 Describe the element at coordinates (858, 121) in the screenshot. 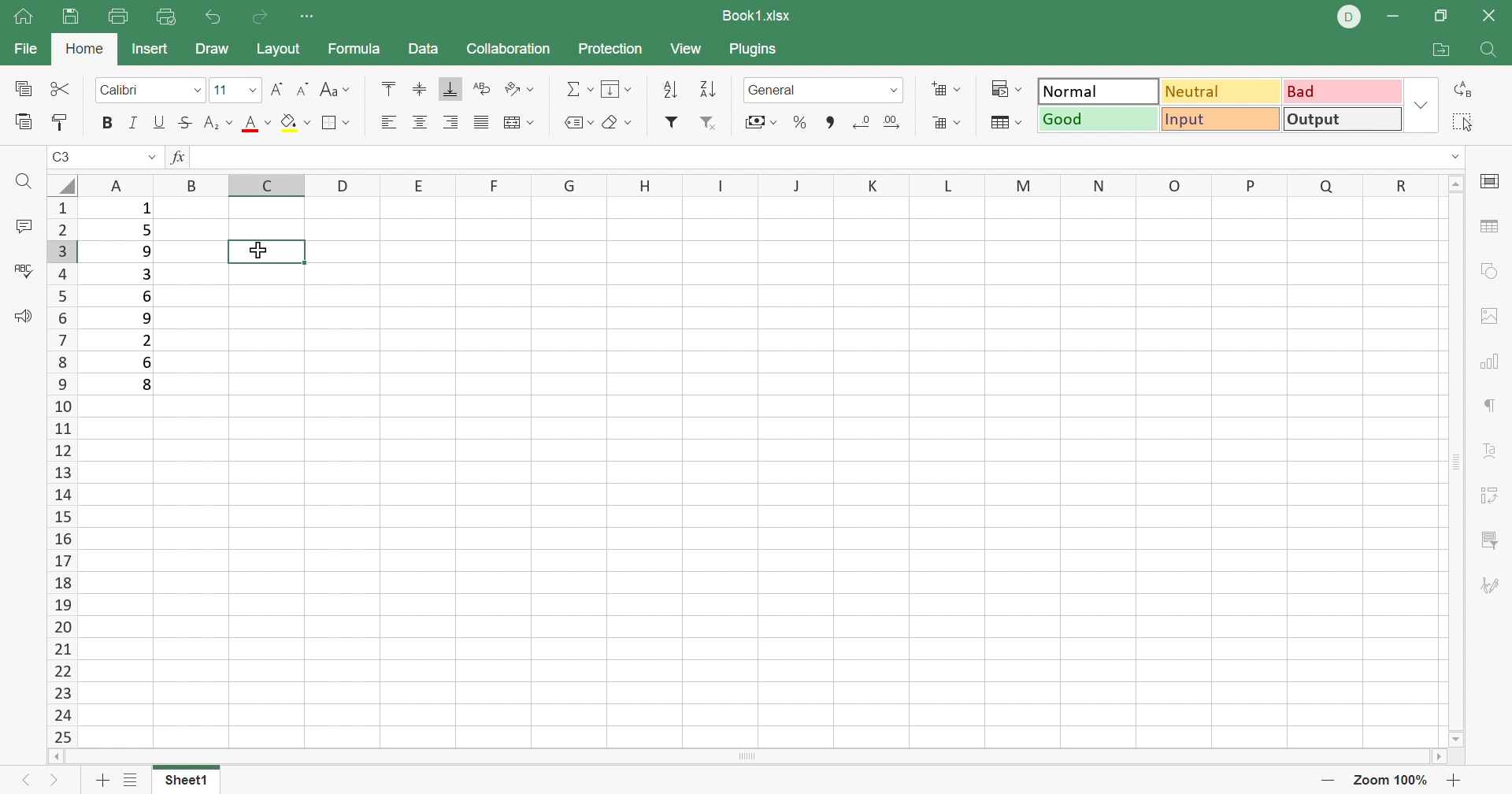

I see `Decrease decimal` at that location.